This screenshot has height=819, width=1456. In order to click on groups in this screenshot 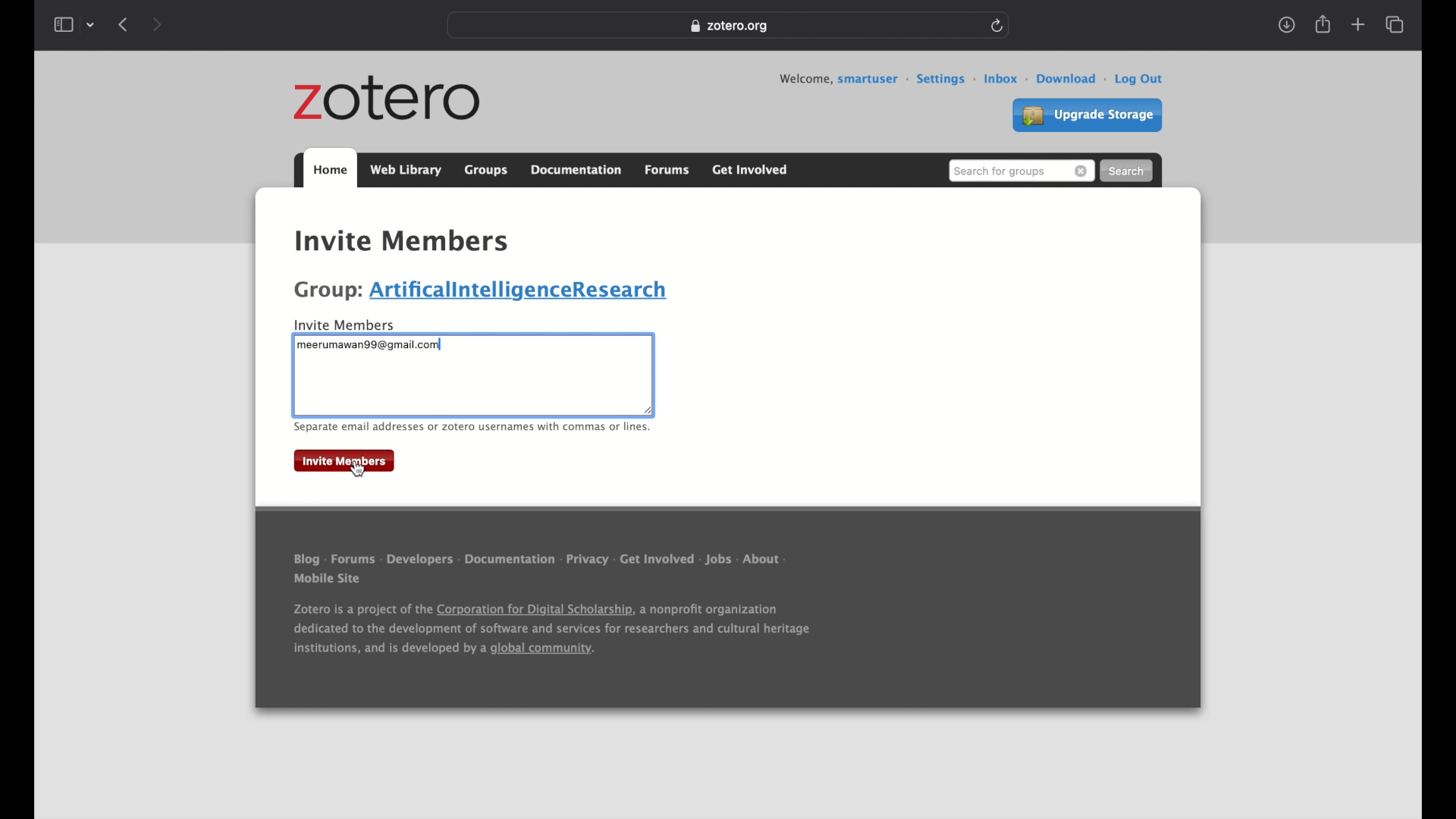, I will do `click(369, 212)`.